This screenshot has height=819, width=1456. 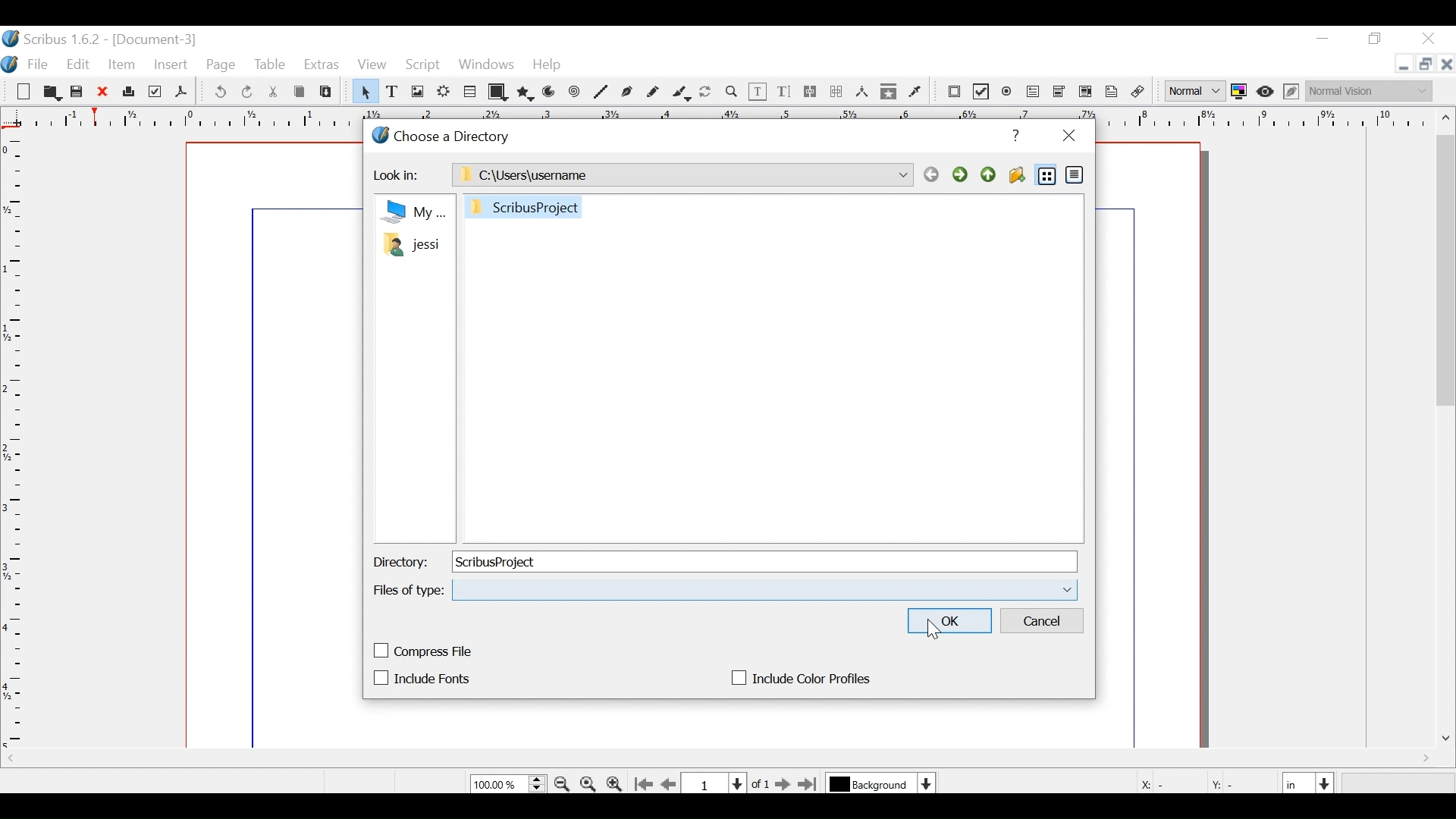 What do you see at coordinates (121, 67) in the screenshot?
I see `Item` at bounding box center [121, 67].